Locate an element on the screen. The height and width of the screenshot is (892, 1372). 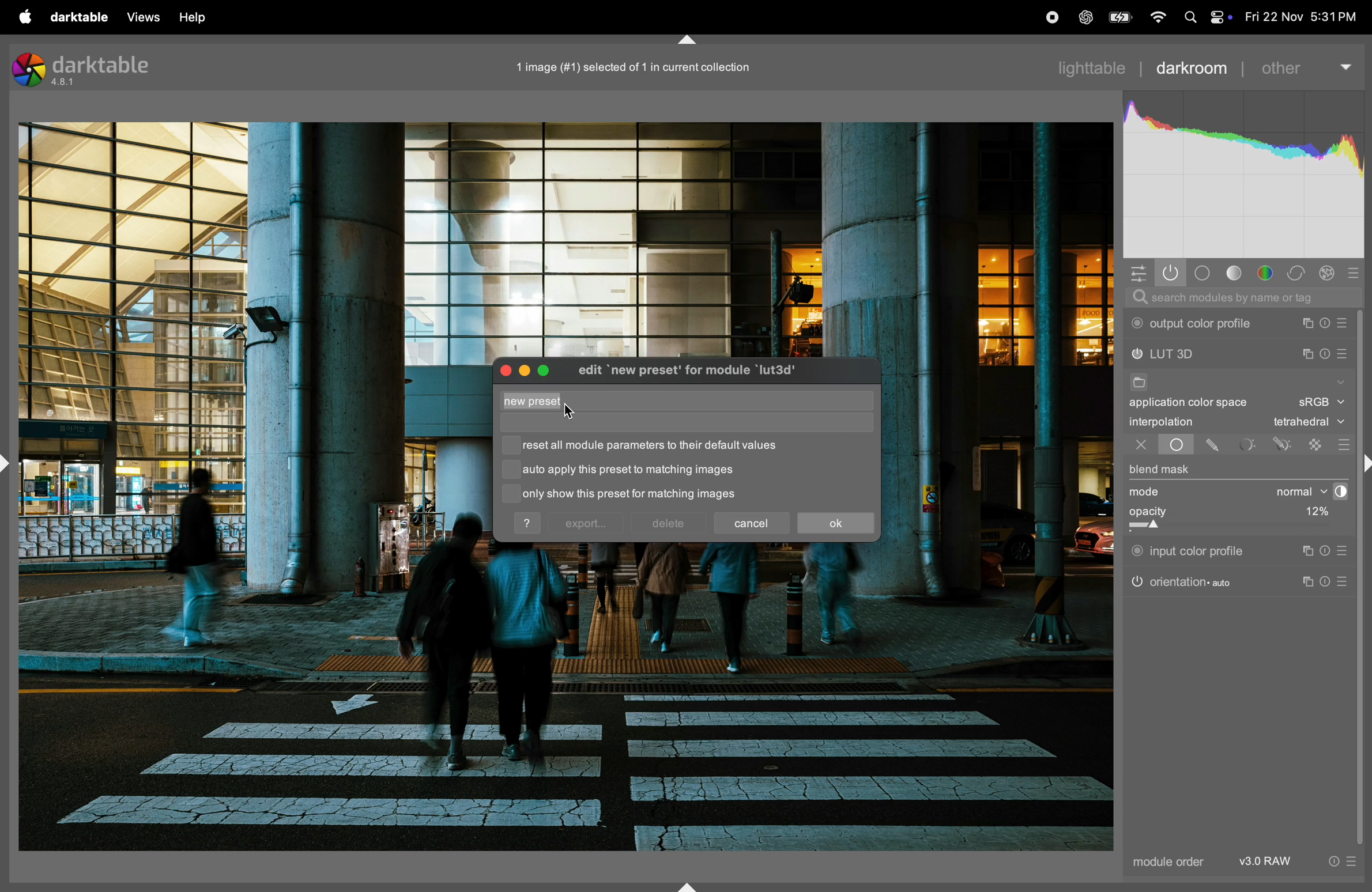
presets is located at coordinates (1344, 356).